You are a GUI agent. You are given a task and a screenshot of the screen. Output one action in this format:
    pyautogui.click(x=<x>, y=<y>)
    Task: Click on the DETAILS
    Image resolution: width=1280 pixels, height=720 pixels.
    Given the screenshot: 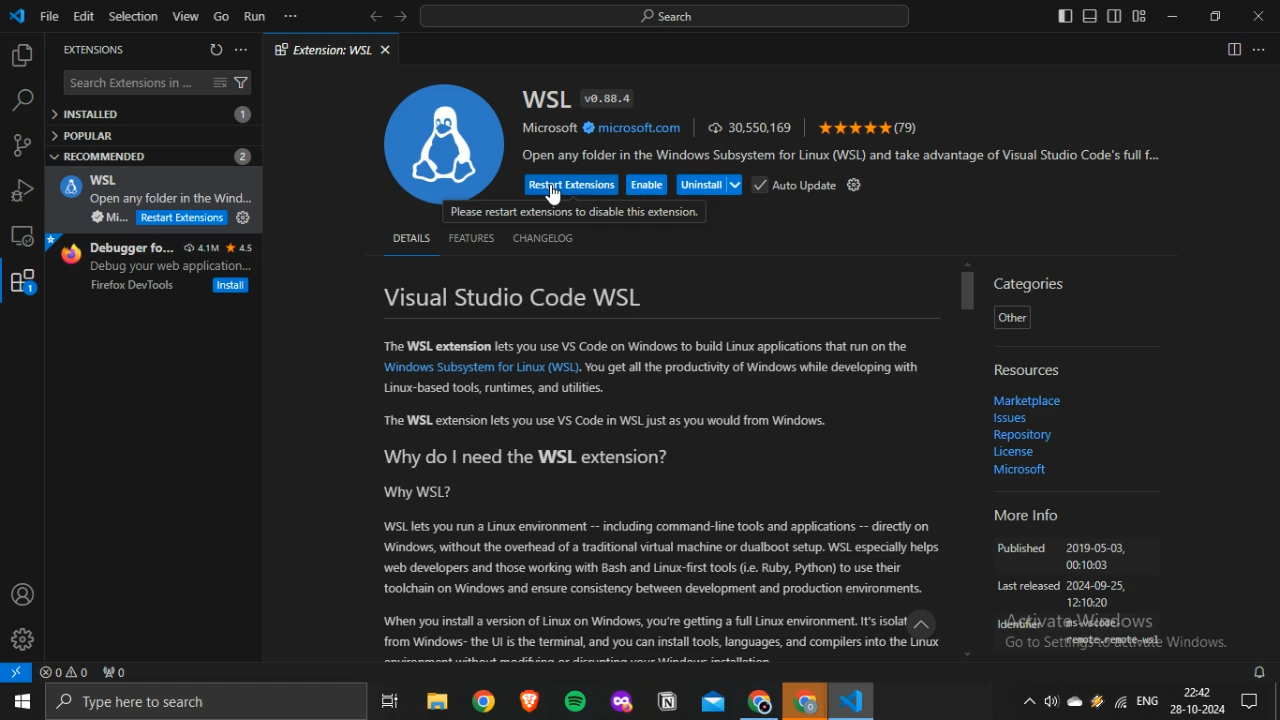 What is the action you would take?
    pyautogui.click(x=410, y=238)
    